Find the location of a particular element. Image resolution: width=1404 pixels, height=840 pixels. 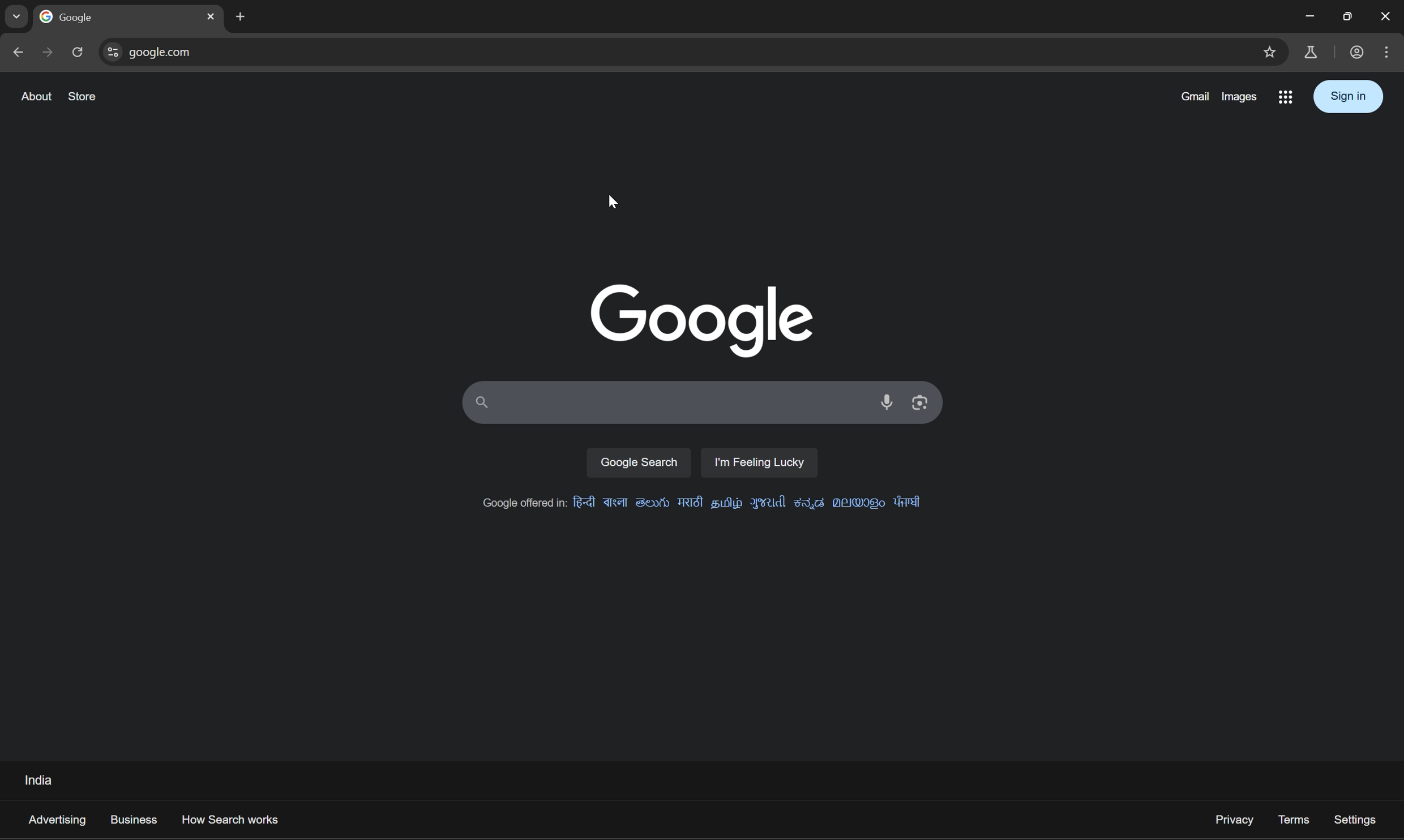

I'm feeling lucky is located at coordinates (759, 461).